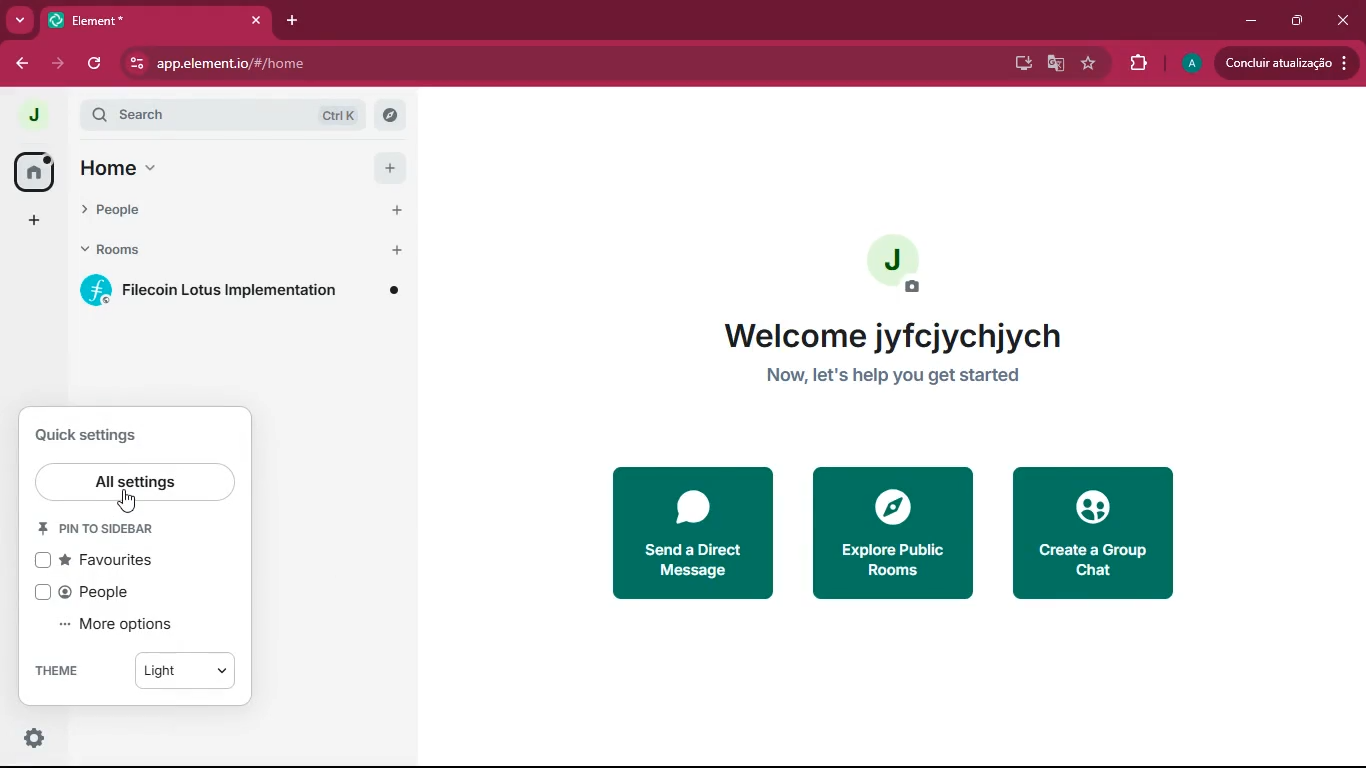 The width and height of the screenshot is (1366, 768). What do you see at coordinates (15, 64) in the screenshot?
I see `back` at bounding box center [15, 64].